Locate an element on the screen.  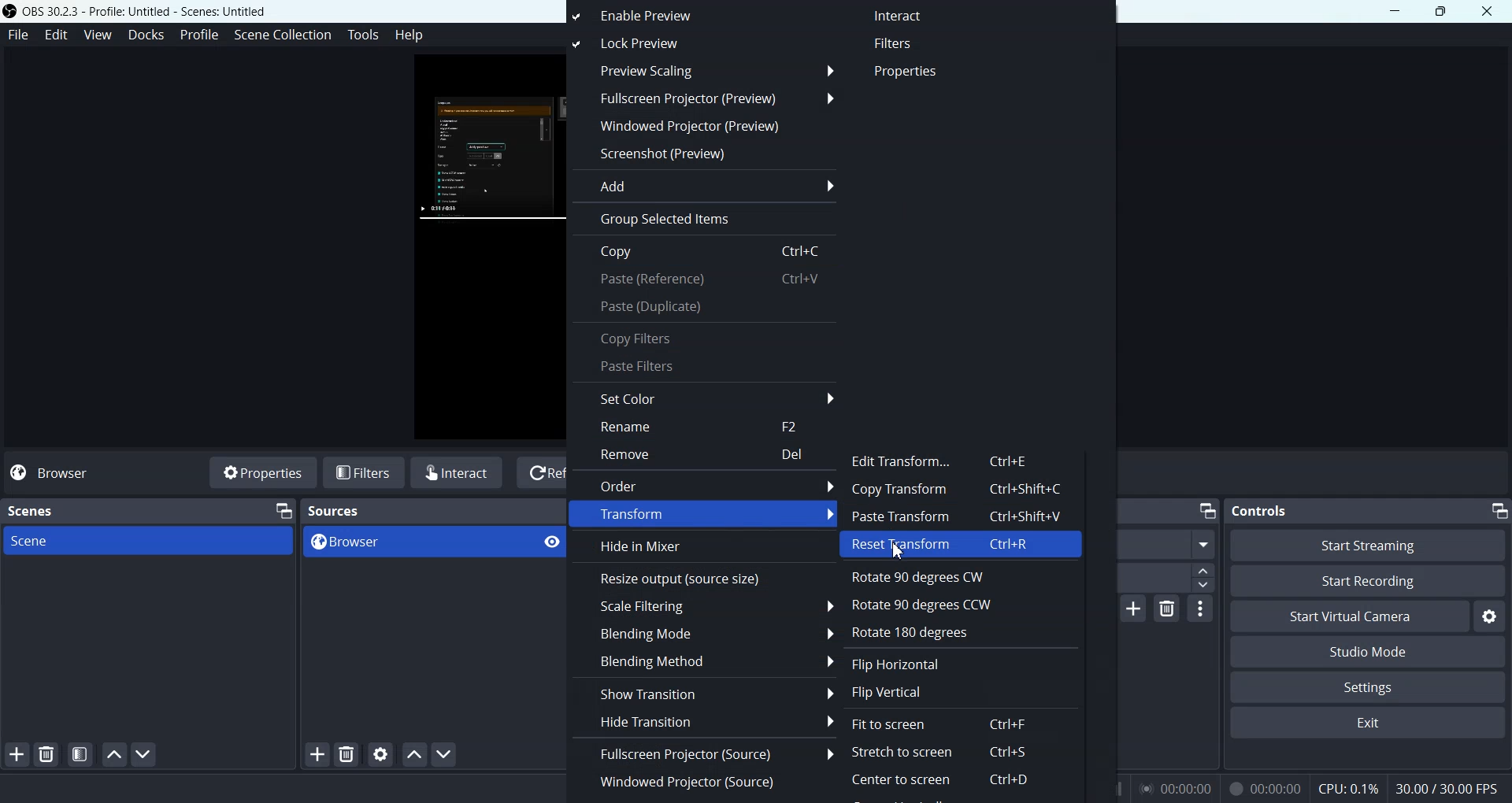
Resize Output (source size) is located at coordinates (704, 578).